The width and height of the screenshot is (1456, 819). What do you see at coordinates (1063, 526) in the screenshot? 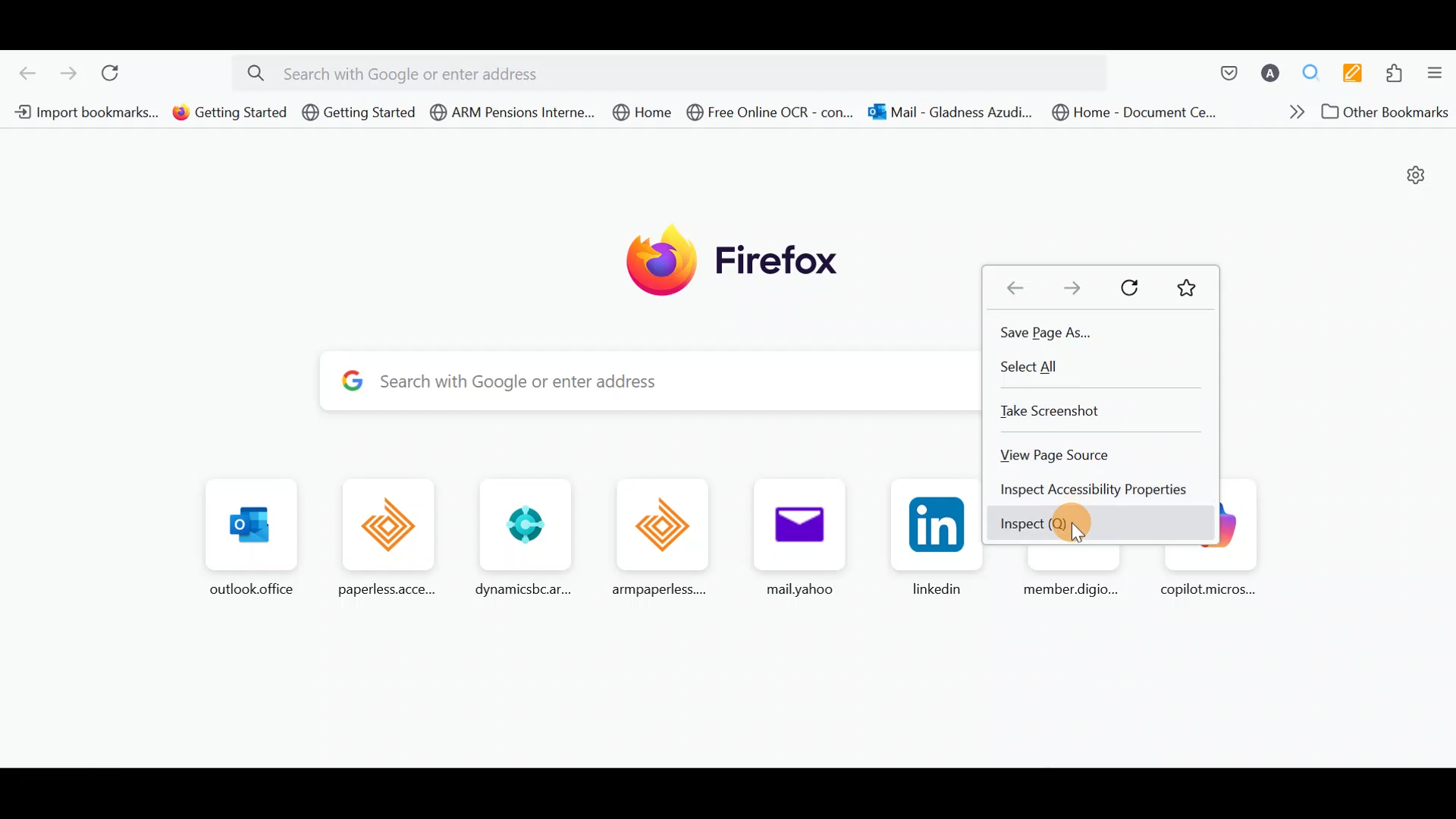
I see `Inspect` at bounding box center [1063, 526].